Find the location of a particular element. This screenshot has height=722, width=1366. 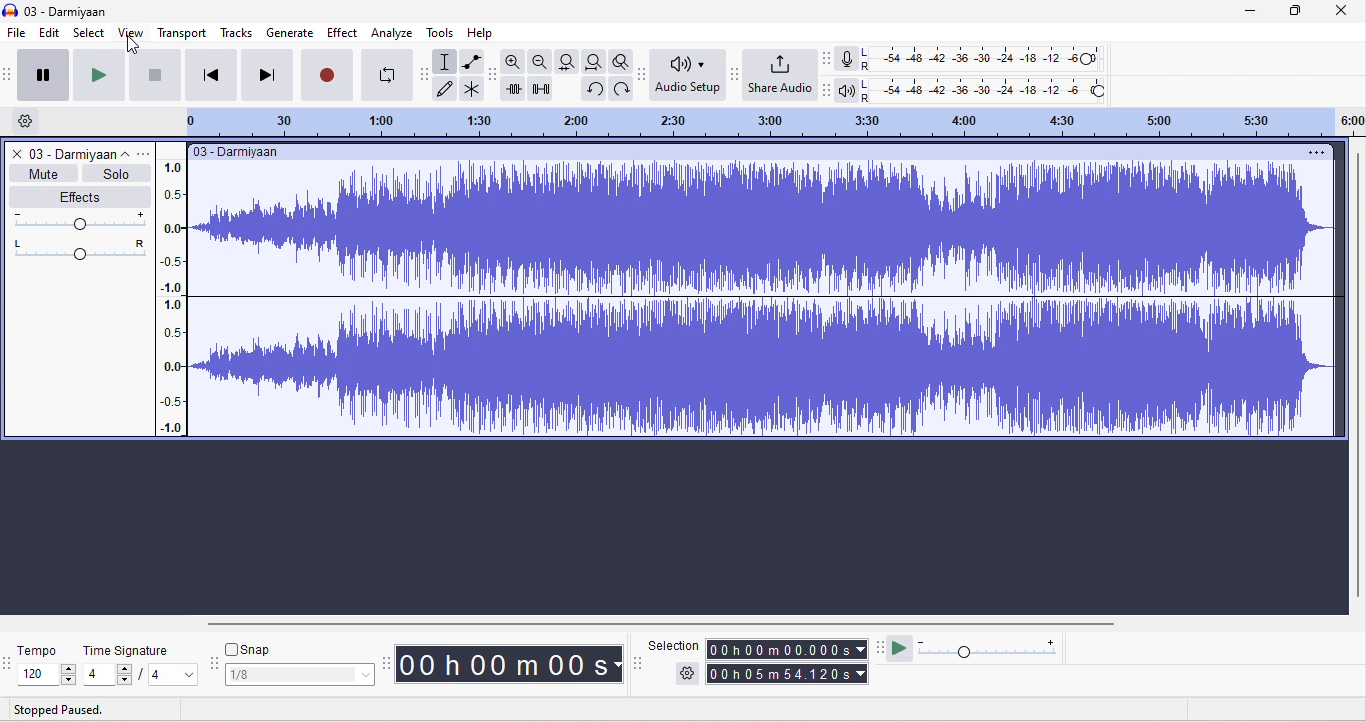

tempo is located at coordinates (40, 650).